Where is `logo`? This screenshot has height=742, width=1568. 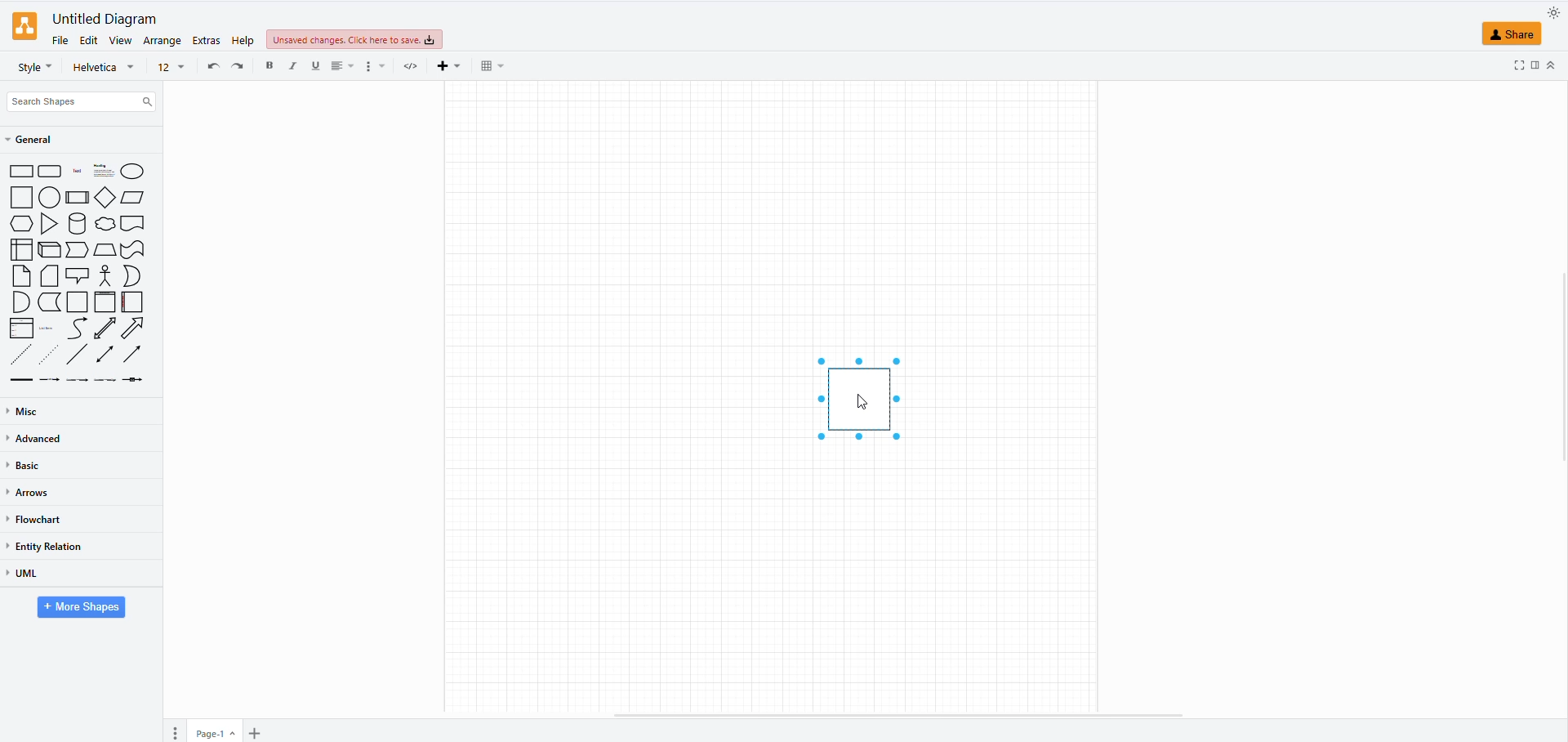
logo is located at coordinates (24, 26).